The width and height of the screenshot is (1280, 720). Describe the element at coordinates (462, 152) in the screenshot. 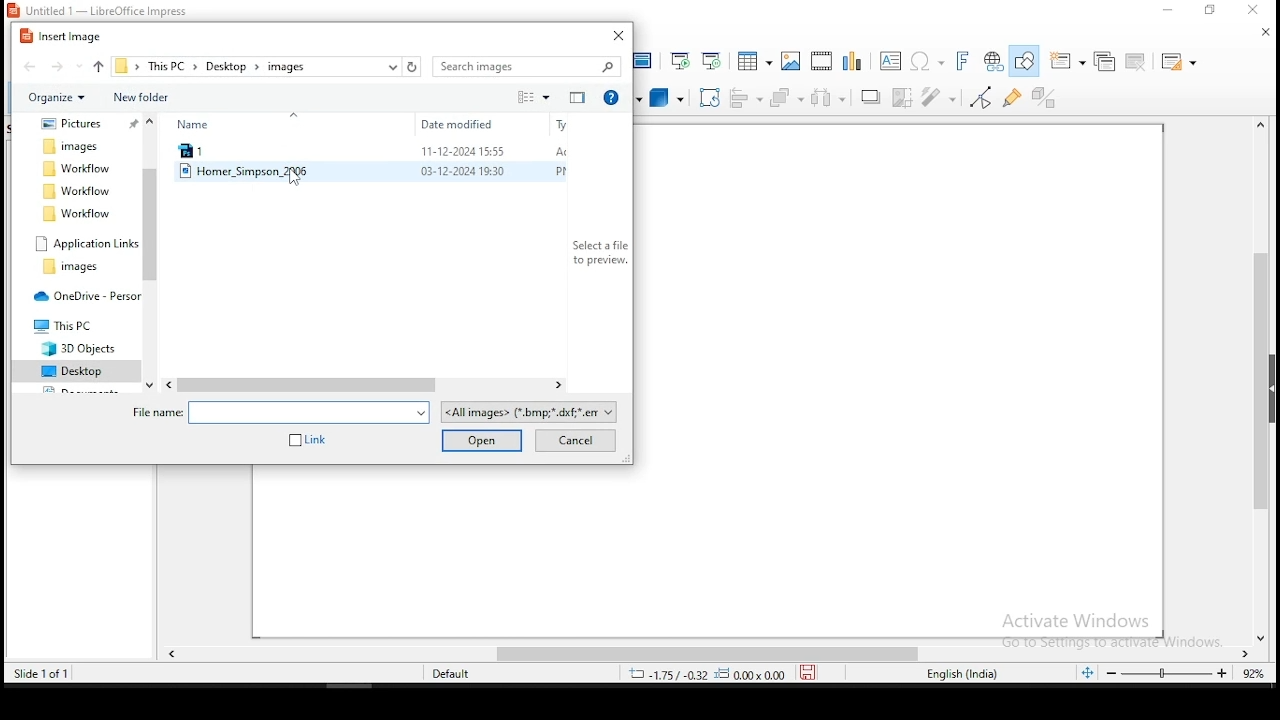

I see `11-12-2024 15:55` at that location.